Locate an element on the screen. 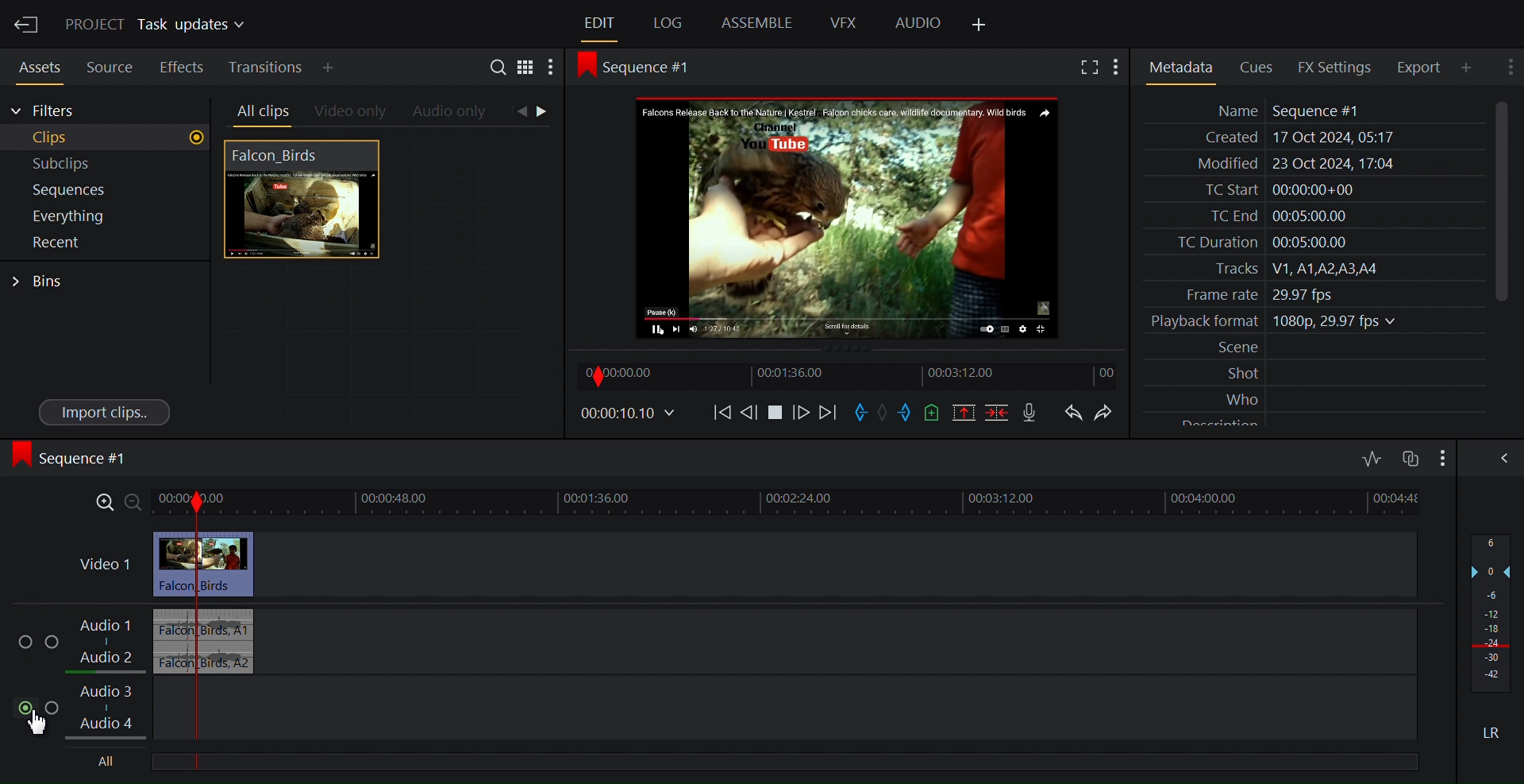 This screenshot has width=1524, height=784. Timeline Indicator is located at coordinates (188, 633).